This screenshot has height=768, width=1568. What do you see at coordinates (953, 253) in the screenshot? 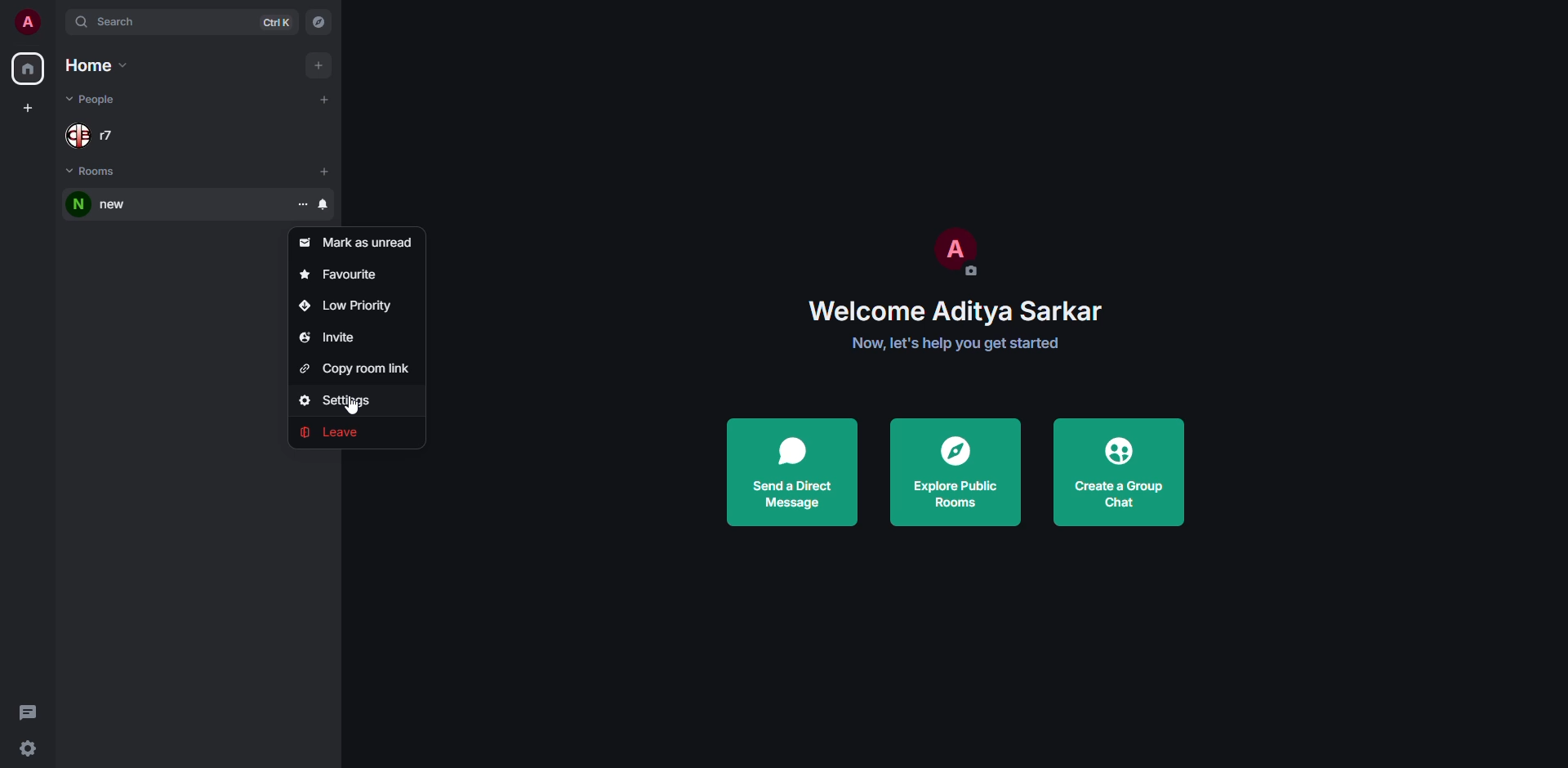
I see `profile` at bounding box center [953, 253].